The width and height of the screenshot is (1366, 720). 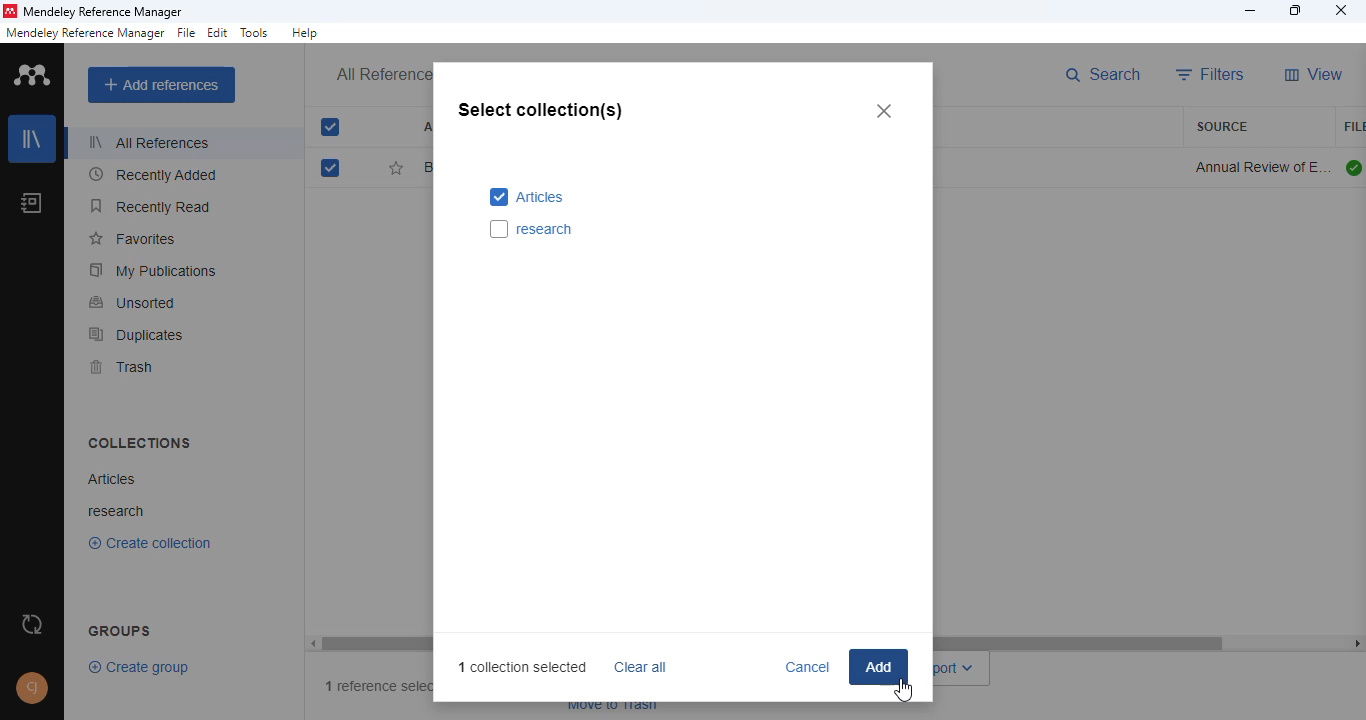 What do you see at coordinates (880, 667) in the screenshot?
I see `add` at bounding box center [880, 667].